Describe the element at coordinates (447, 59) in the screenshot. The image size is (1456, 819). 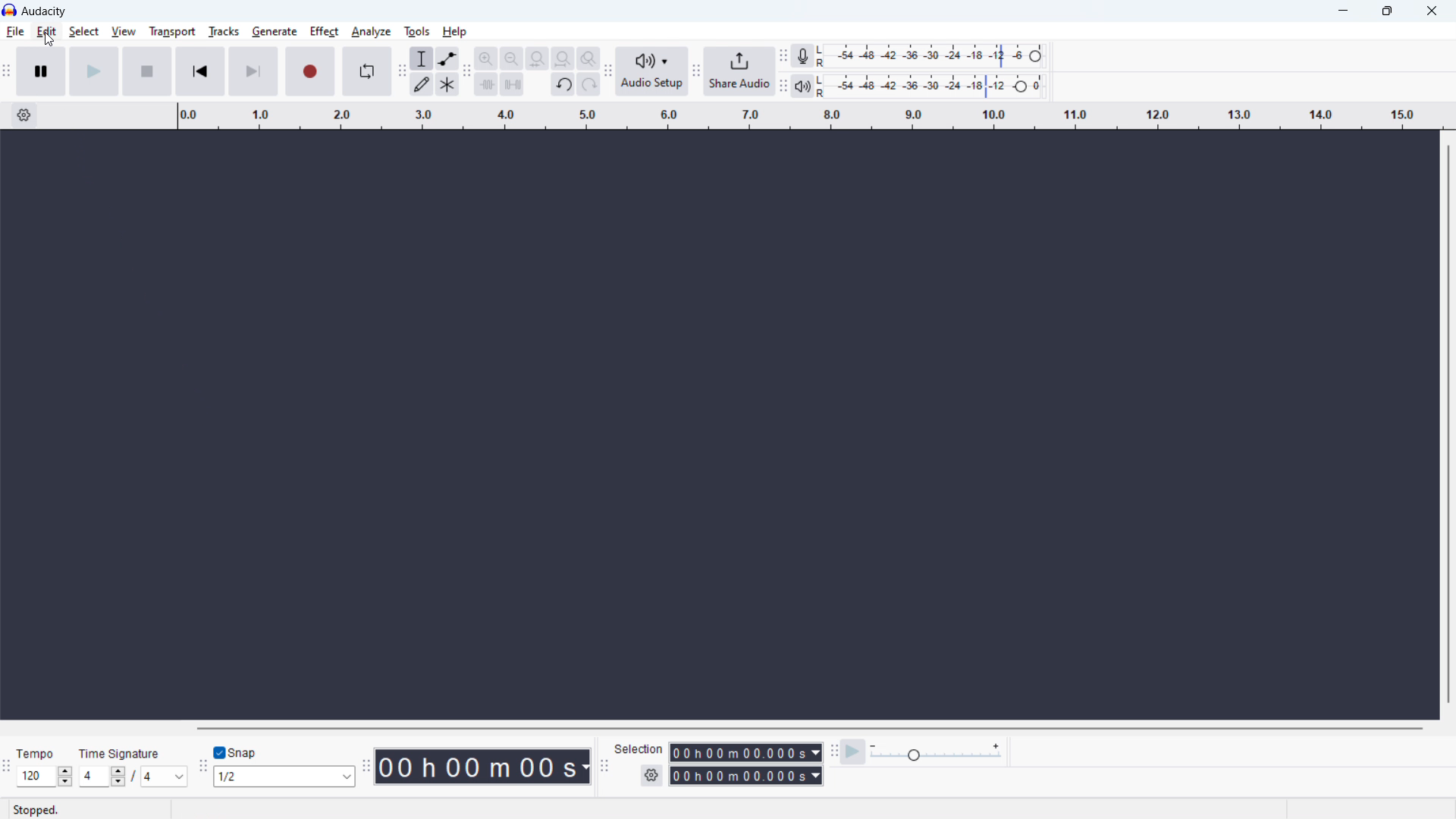
I see `envelop tool` at that location.